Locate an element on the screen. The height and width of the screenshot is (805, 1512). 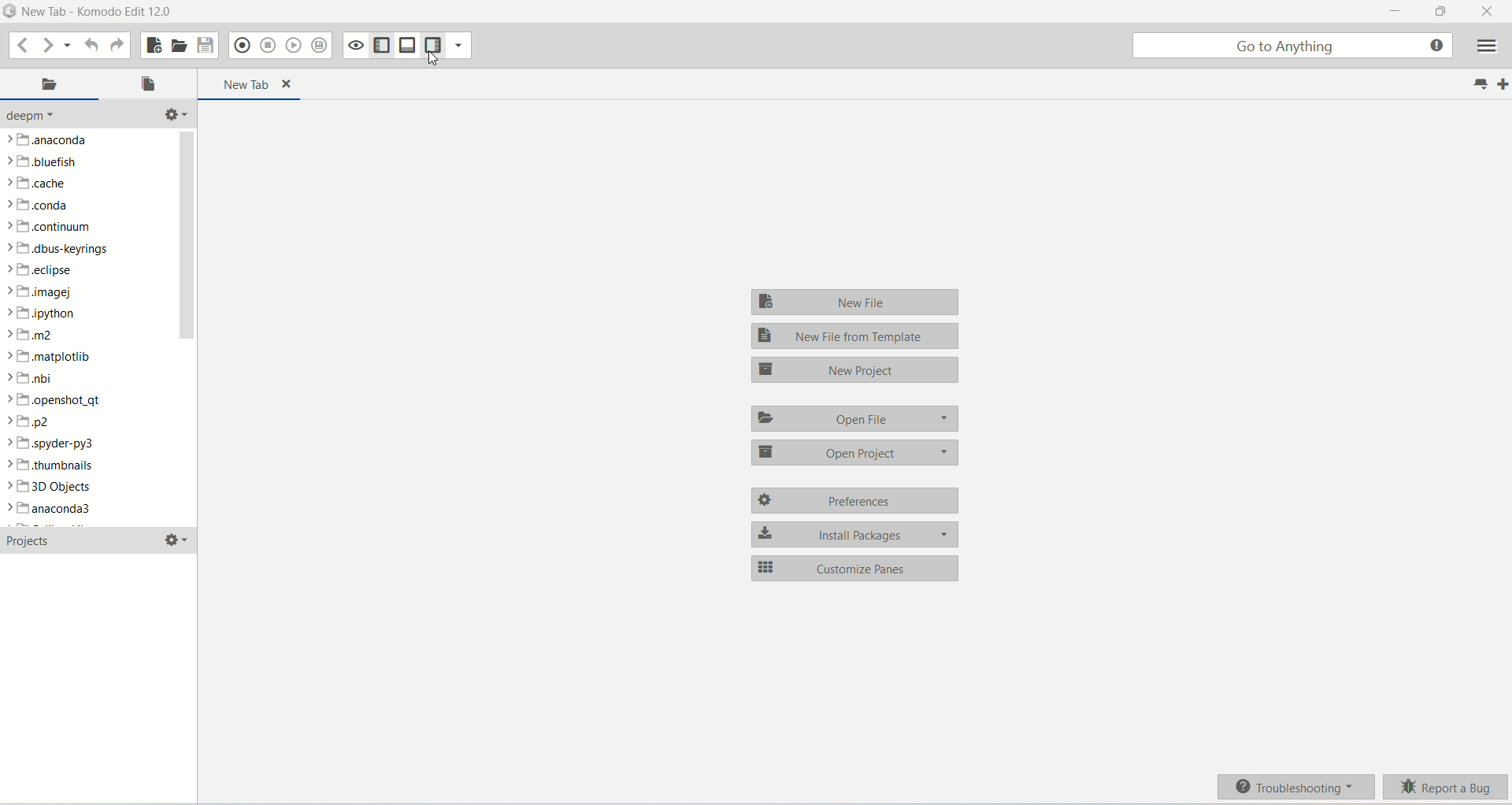
stop recording macro is located at coordinates (268, 46).